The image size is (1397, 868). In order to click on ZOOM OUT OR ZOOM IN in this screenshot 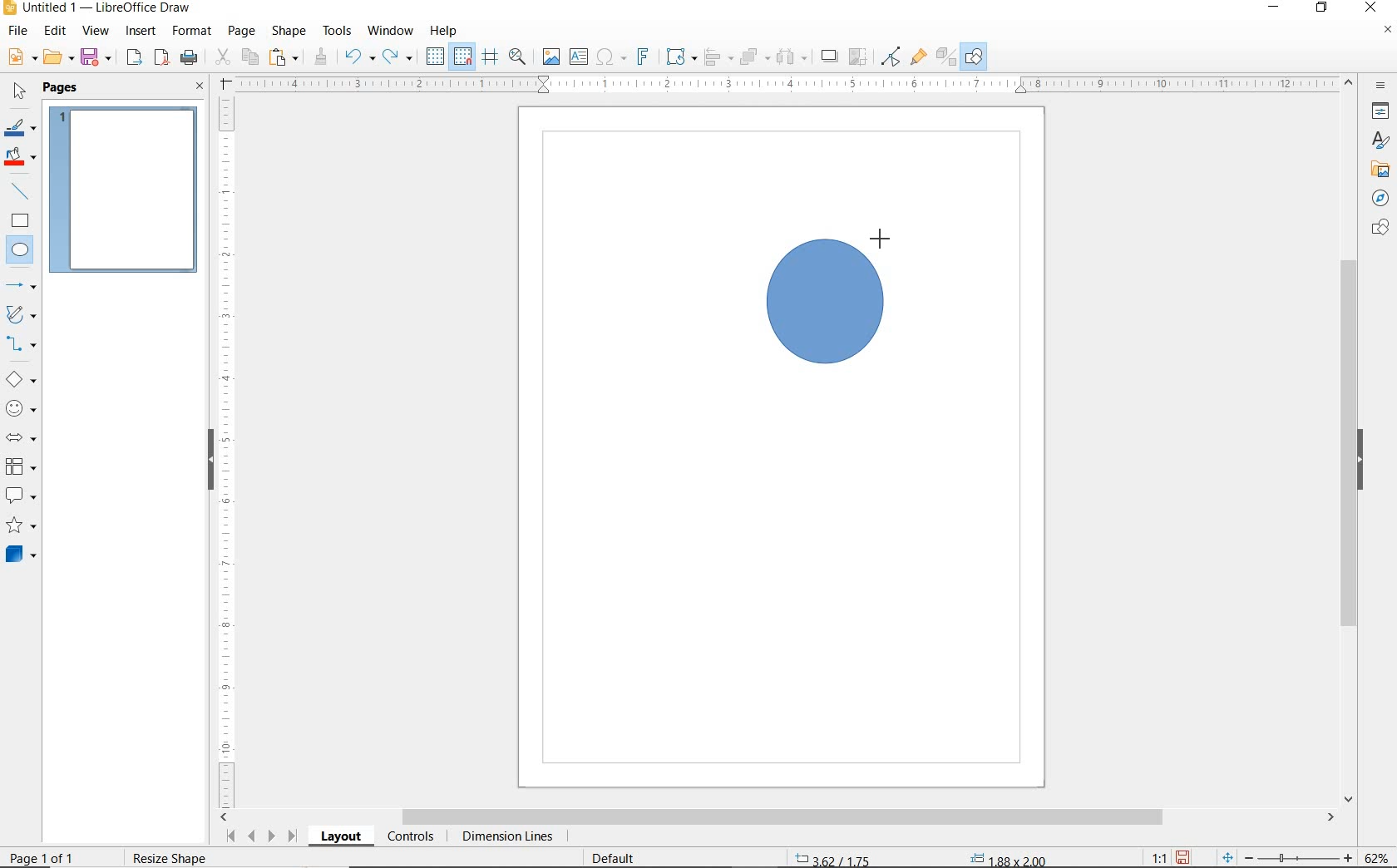, I will do `click(1287, 858)`.